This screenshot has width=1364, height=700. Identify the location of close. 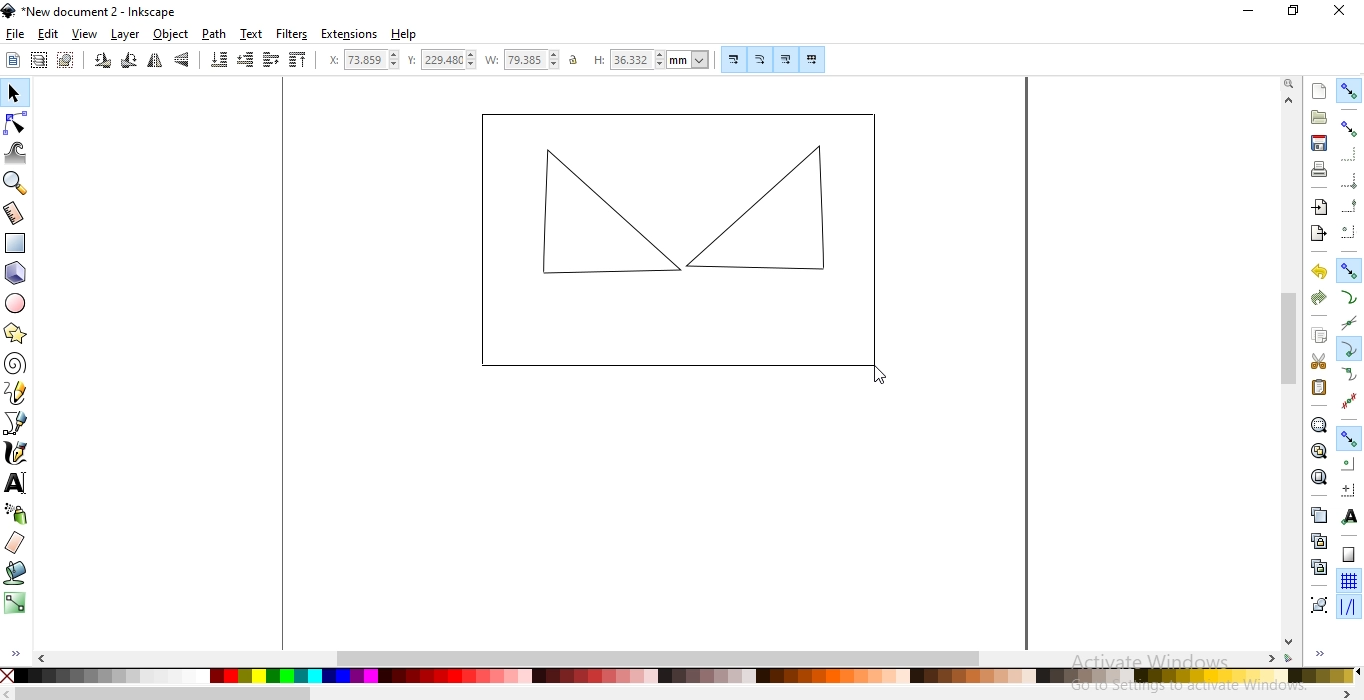
(1337, 8).